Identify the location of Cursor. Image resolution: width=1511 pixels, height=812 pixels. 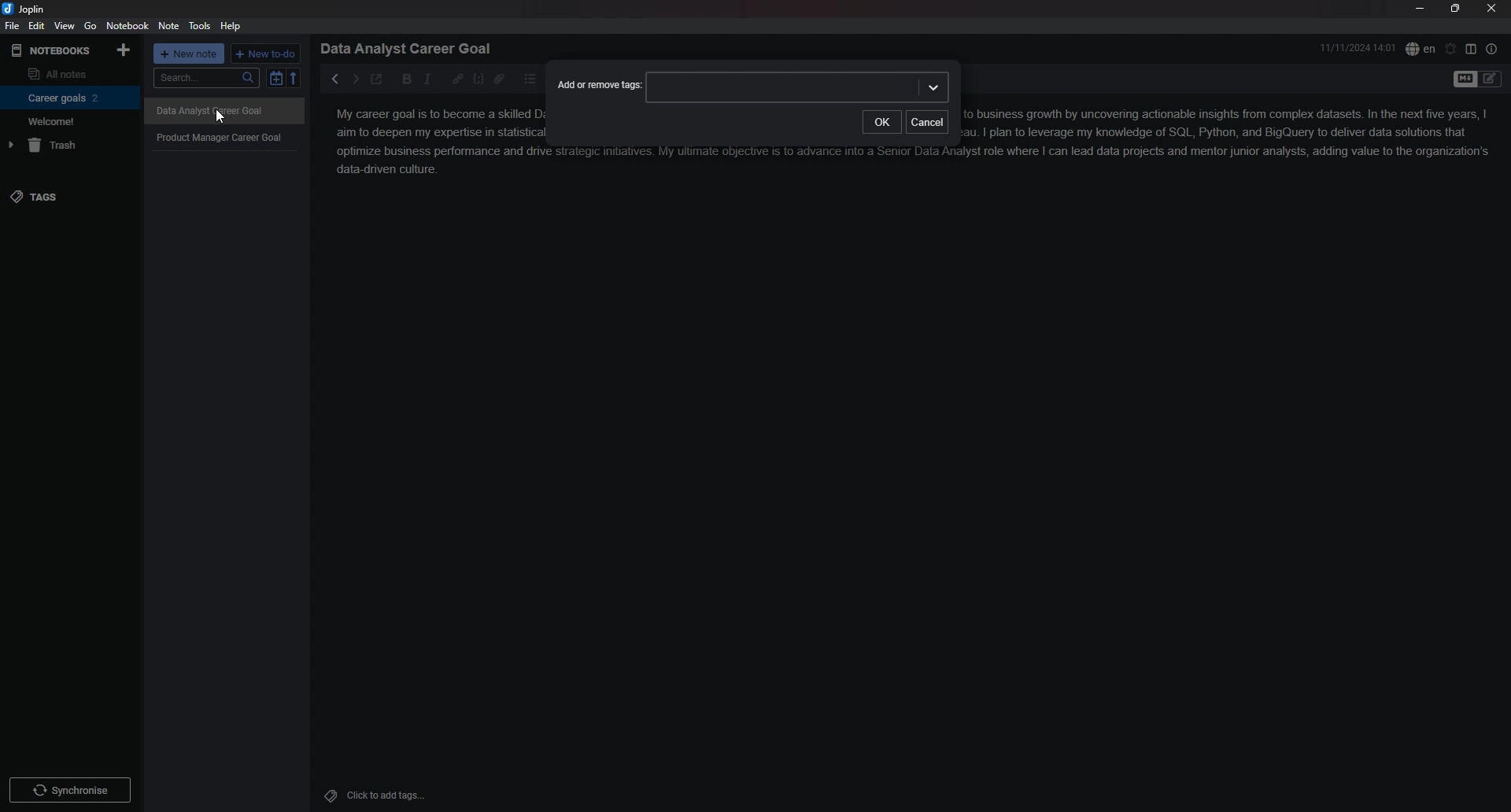
(220, 118).